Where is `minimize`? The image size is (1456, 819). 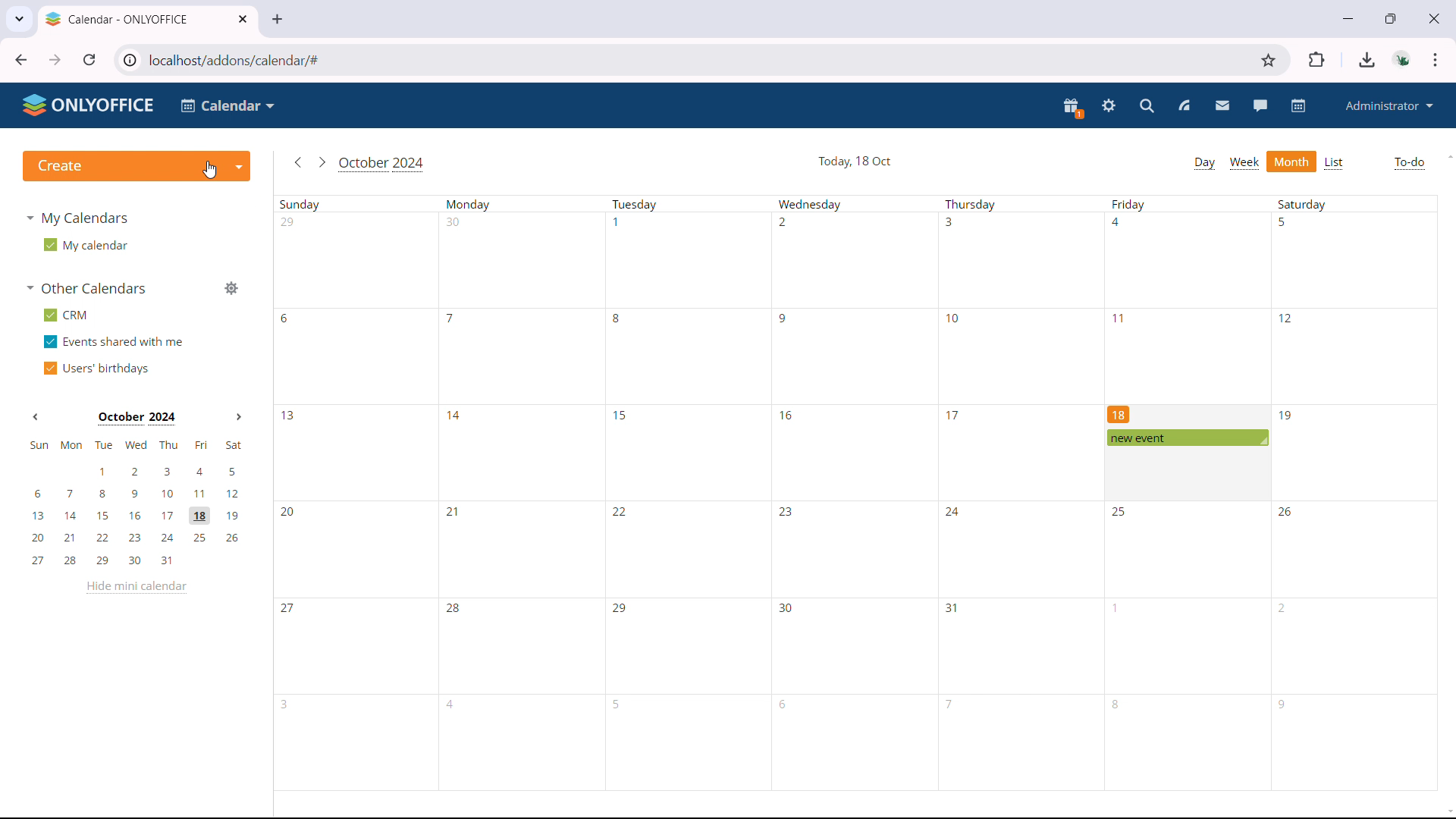
minimize is located at coordinates (1346, 17).